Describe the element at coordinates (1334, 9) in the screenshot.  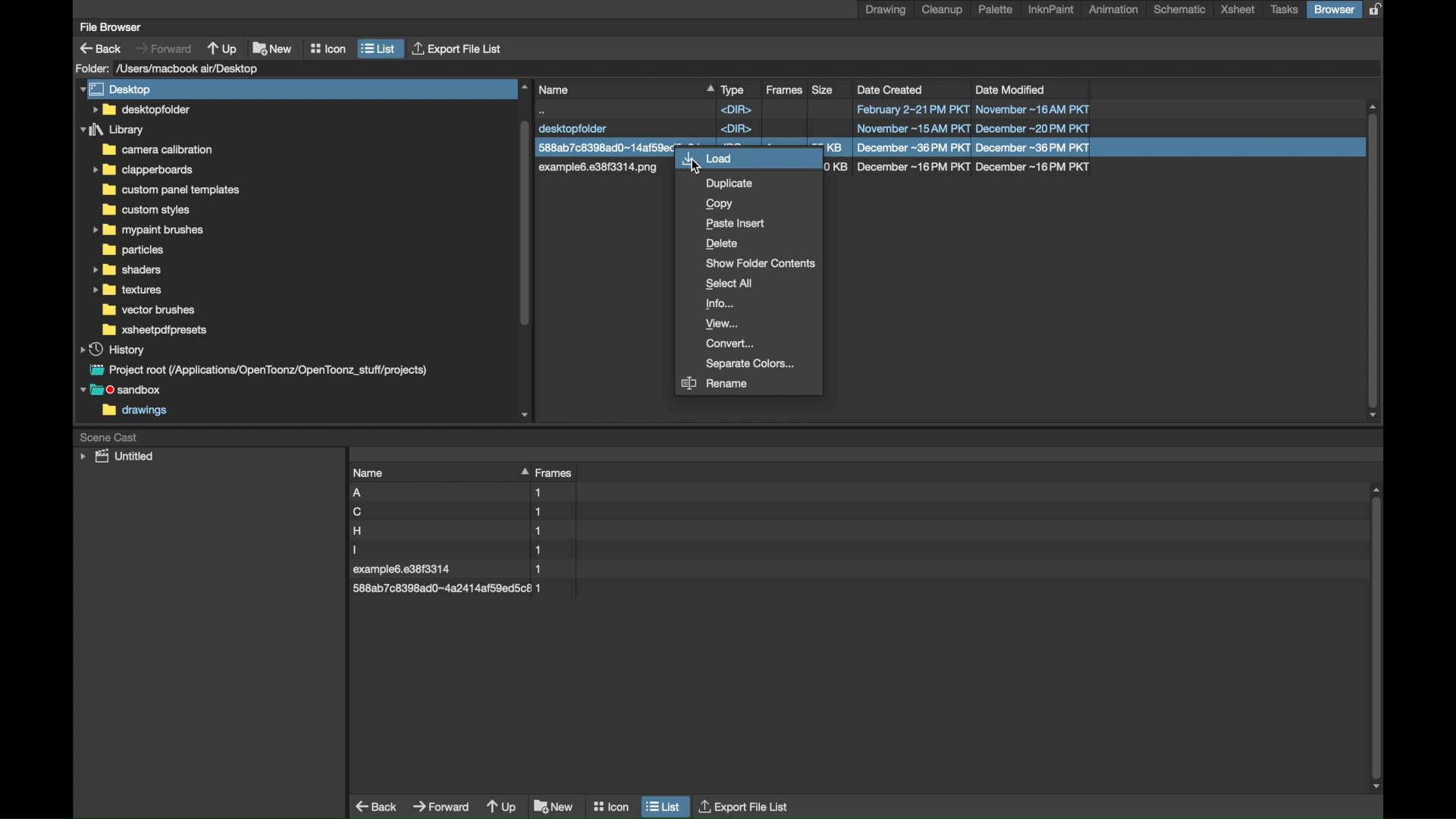
I see `browser` at that location.